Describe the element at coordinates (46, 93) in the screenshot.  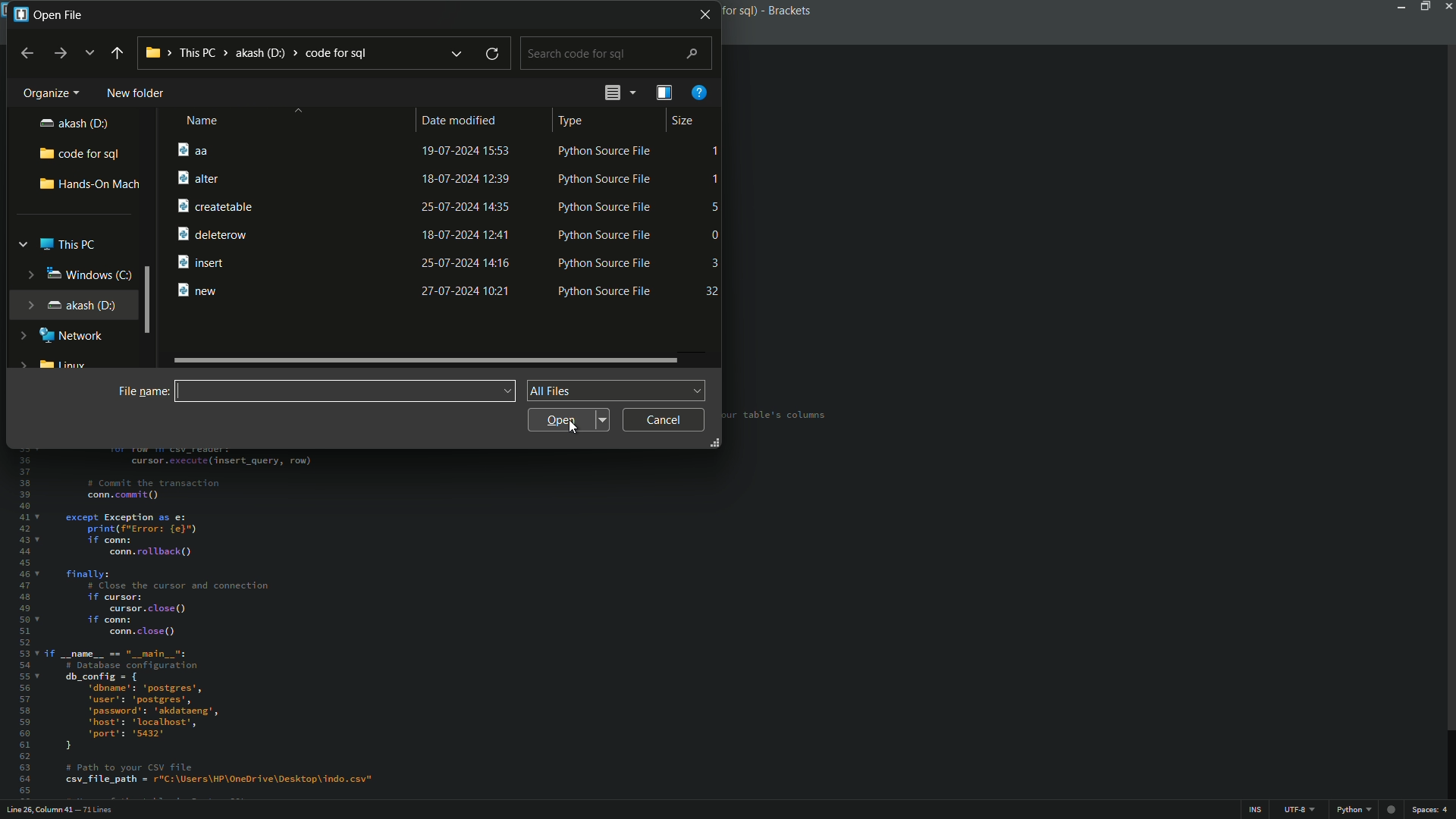
I see `organize` at that location.